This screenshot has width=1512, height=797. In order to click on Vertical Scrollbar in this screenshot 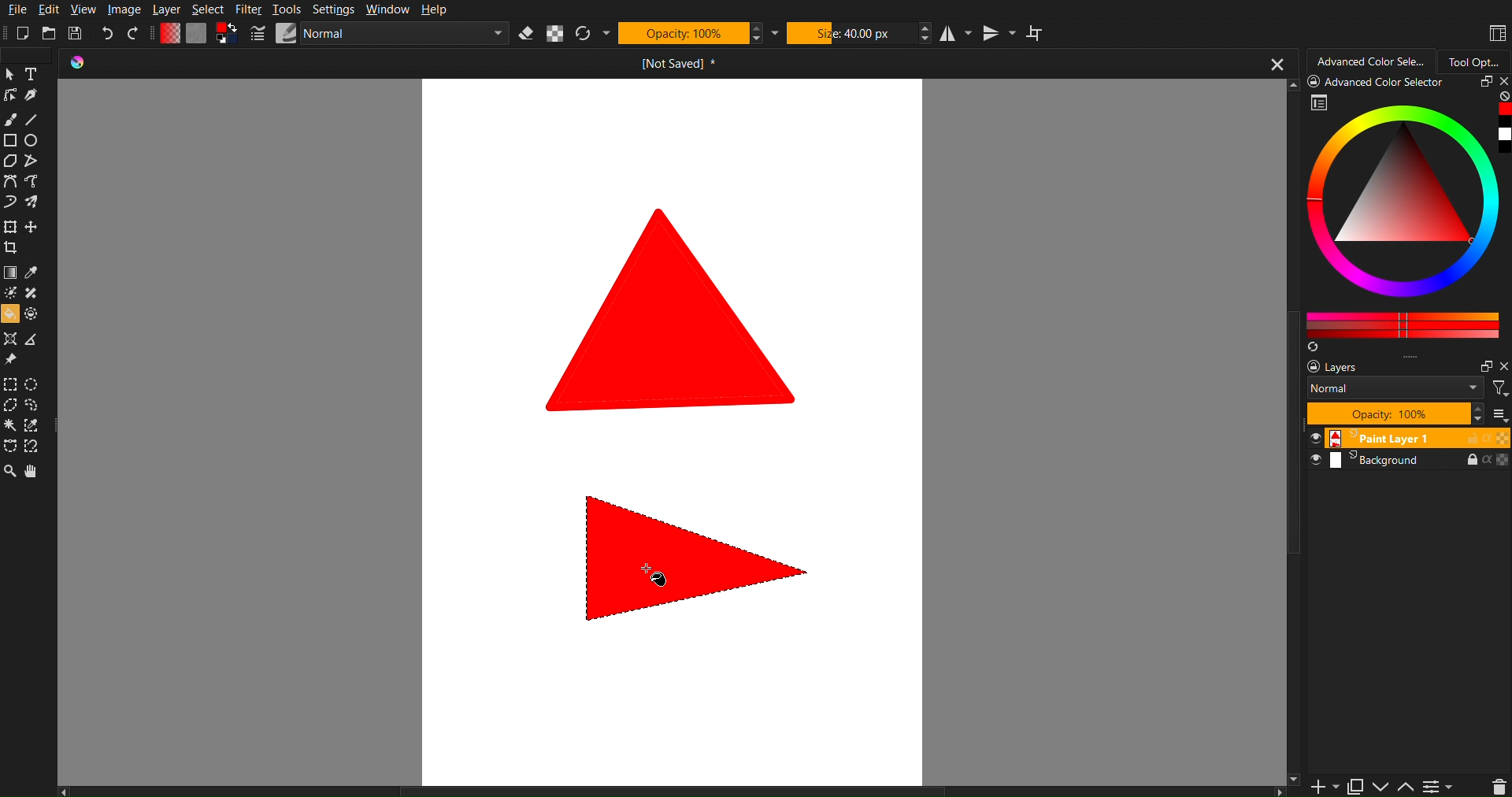, I will do `click(1295, 629)`.